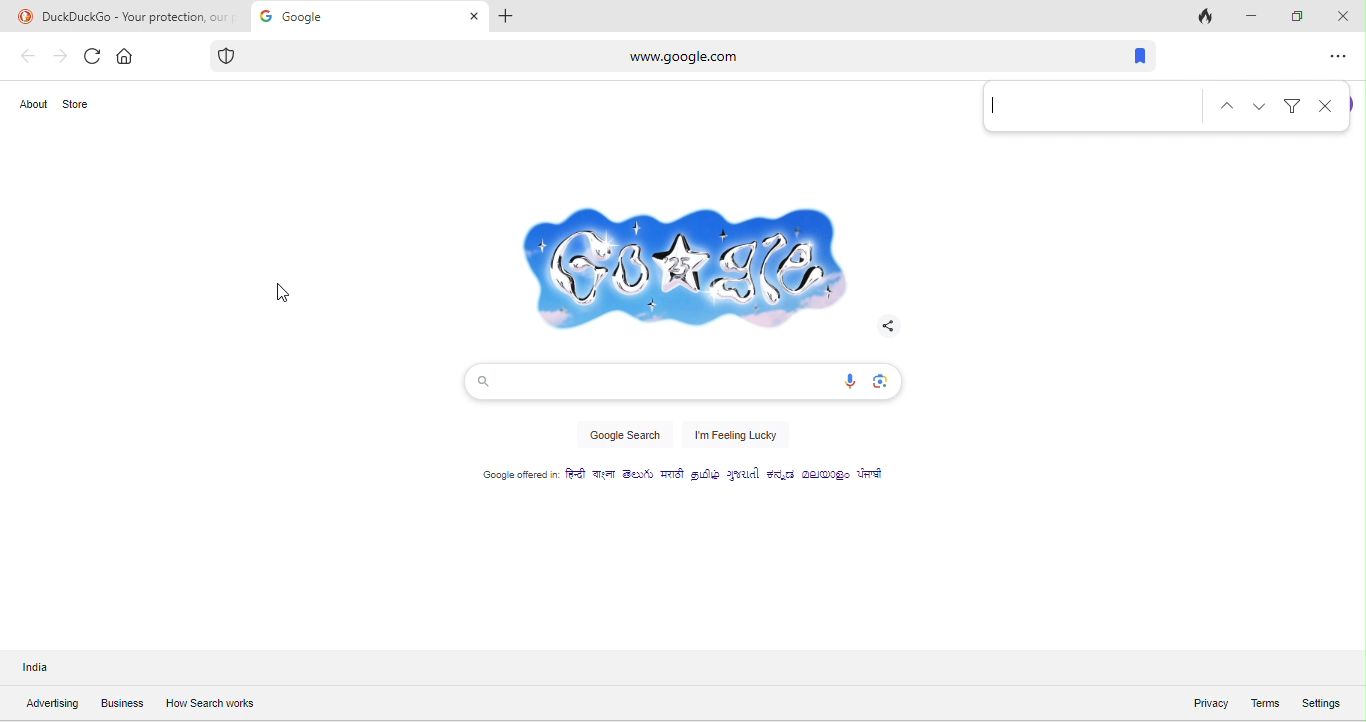 The width and height of the screenshot is (1366, 722). Describe the element at coordinates (368, 16) in the screenshot. I see `google` at that location.